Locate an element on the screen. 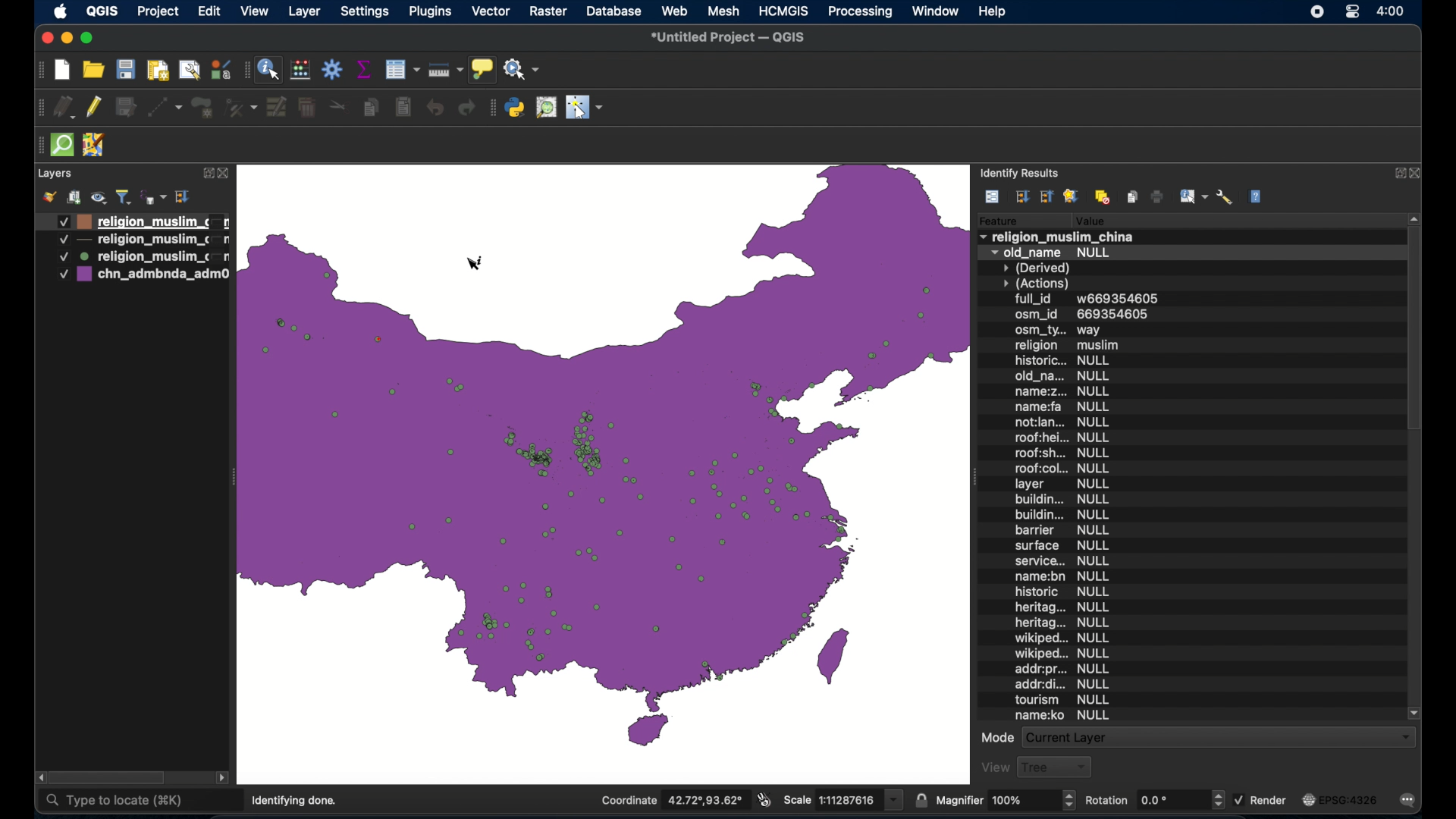 The image size is (1456, 819). expand is located at coordinates (1395, 173).